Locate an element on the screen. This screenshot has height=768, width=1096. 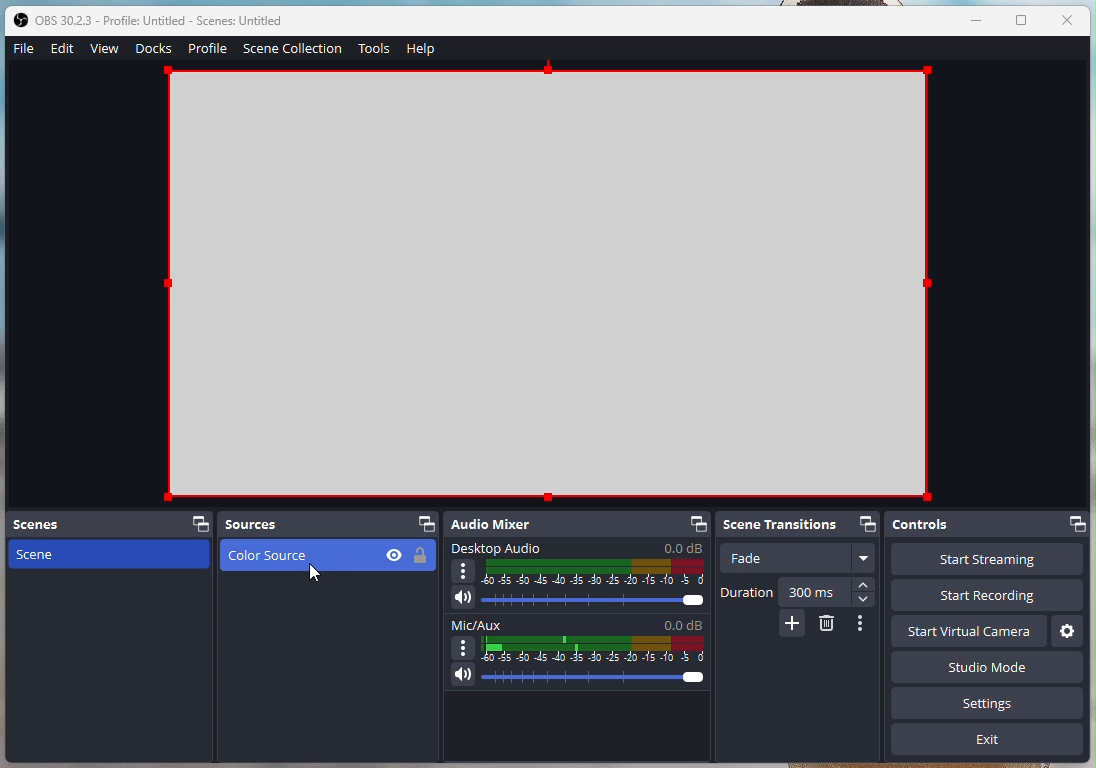
Docs is located at coordinates (153, 48).